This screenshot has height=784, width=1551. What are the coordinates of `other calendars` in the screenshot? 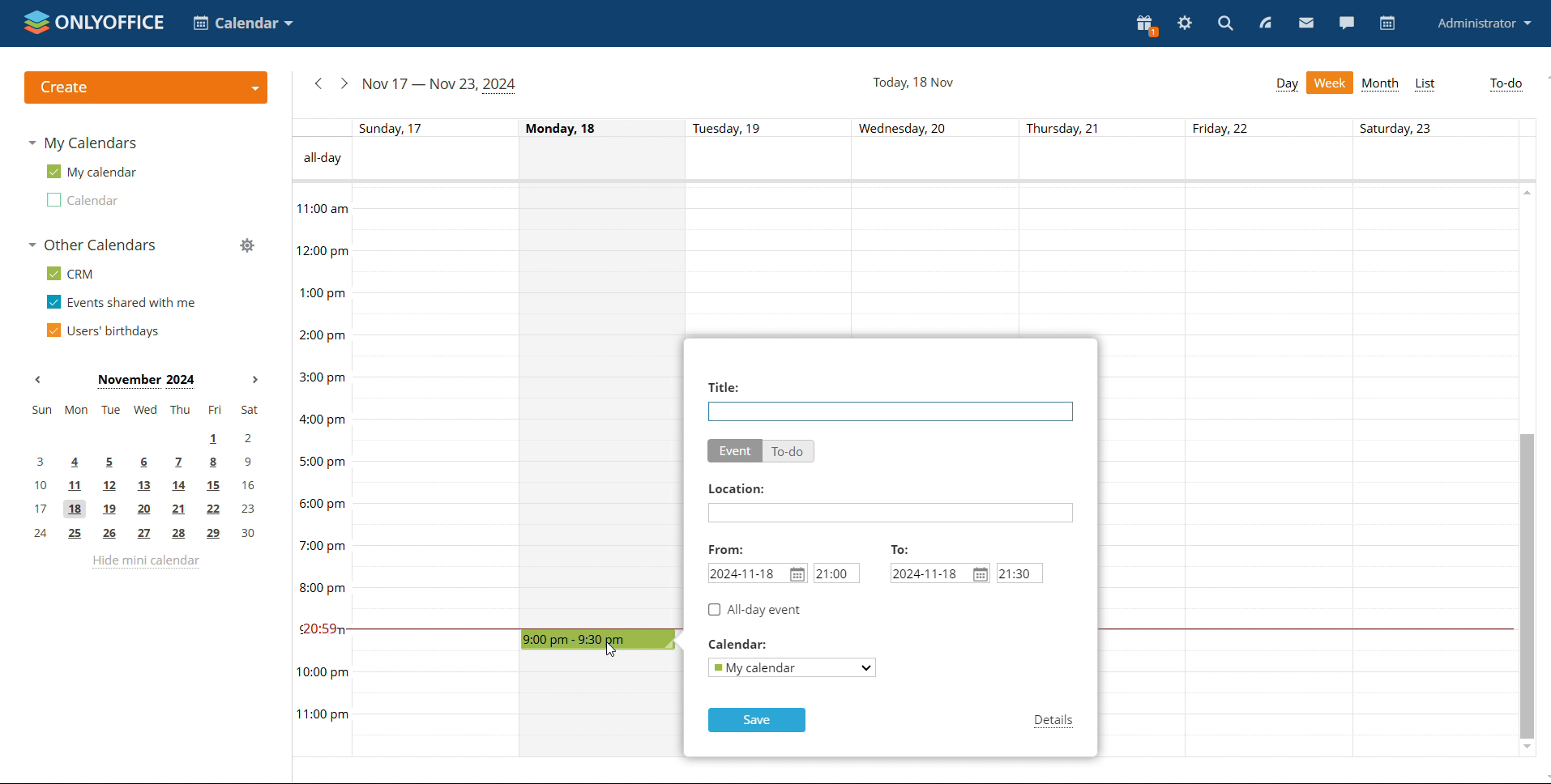 It's located at (92, 245).